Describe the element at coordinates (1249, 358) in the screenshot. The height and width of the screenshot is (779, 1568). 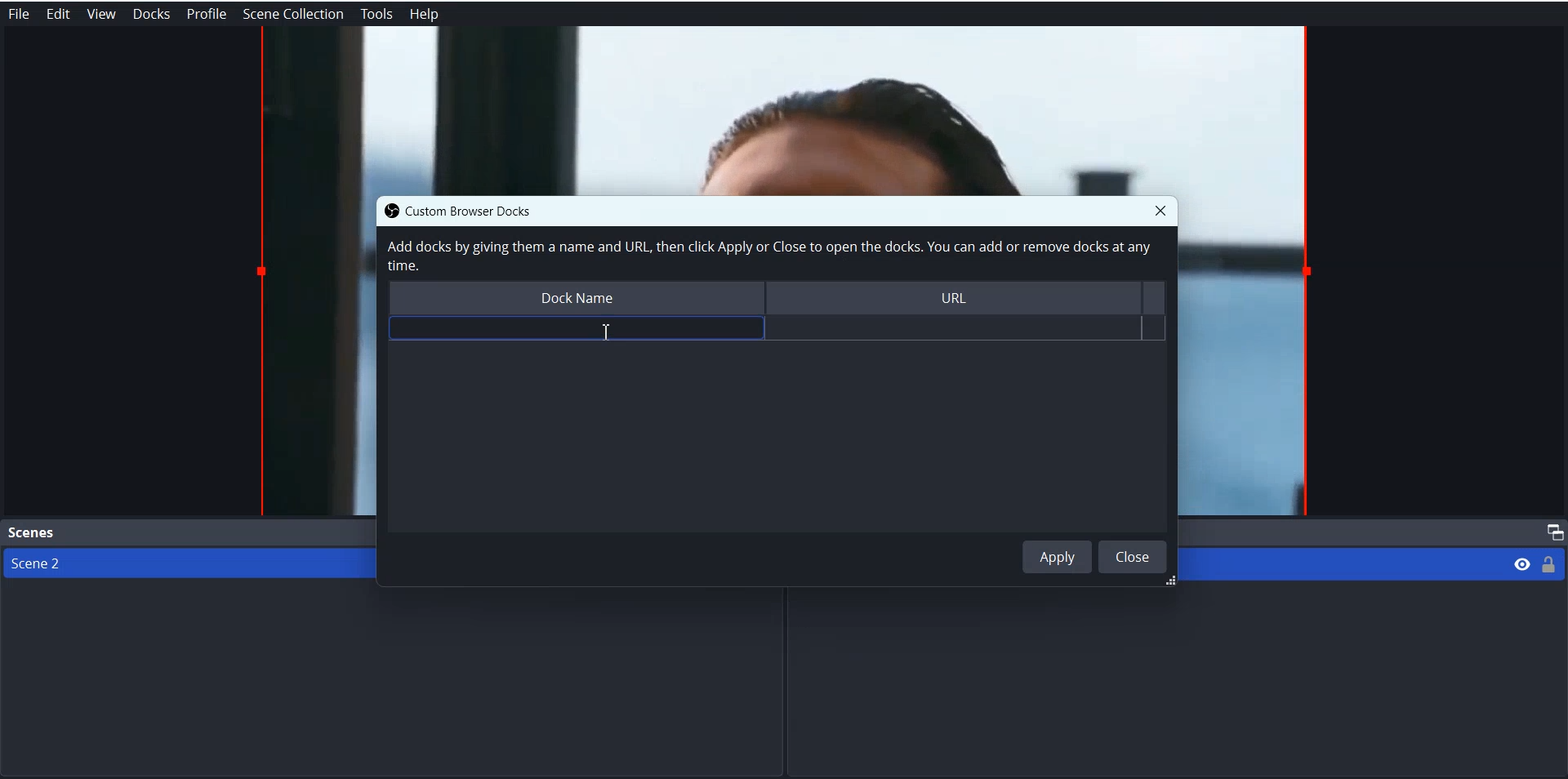
I see `File Preview window` at that location.